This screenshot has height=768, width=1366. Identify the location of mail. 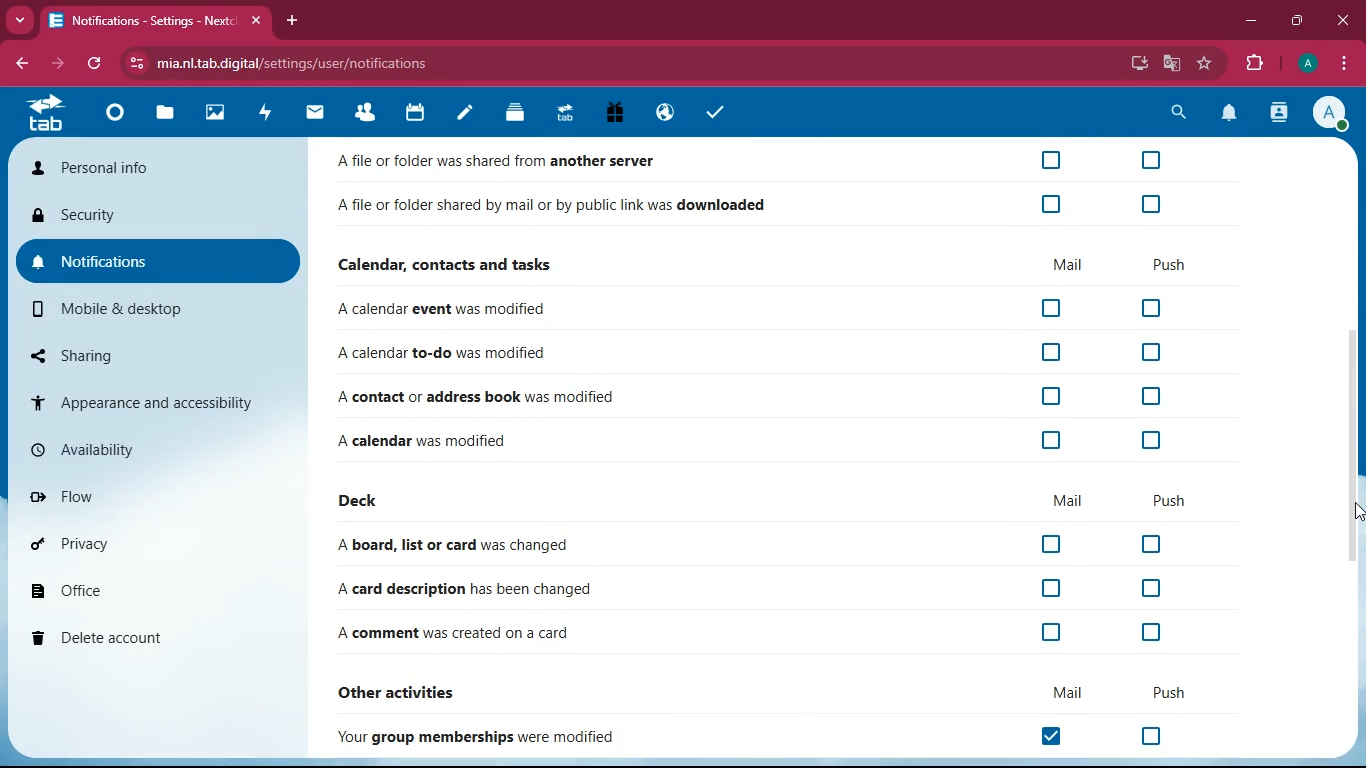
(315, 112).